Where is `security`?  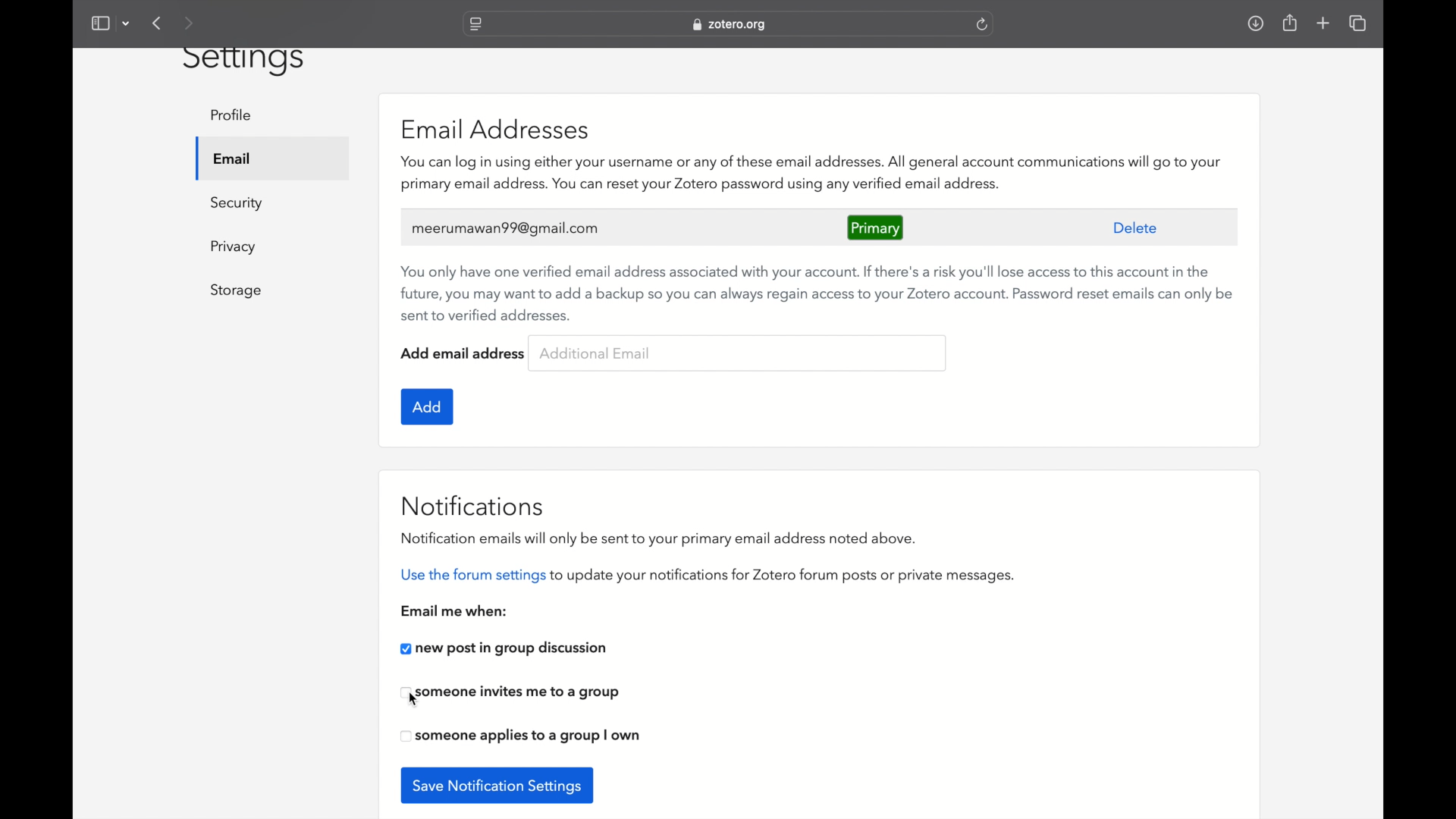
security is located at coordinates (235, 202).